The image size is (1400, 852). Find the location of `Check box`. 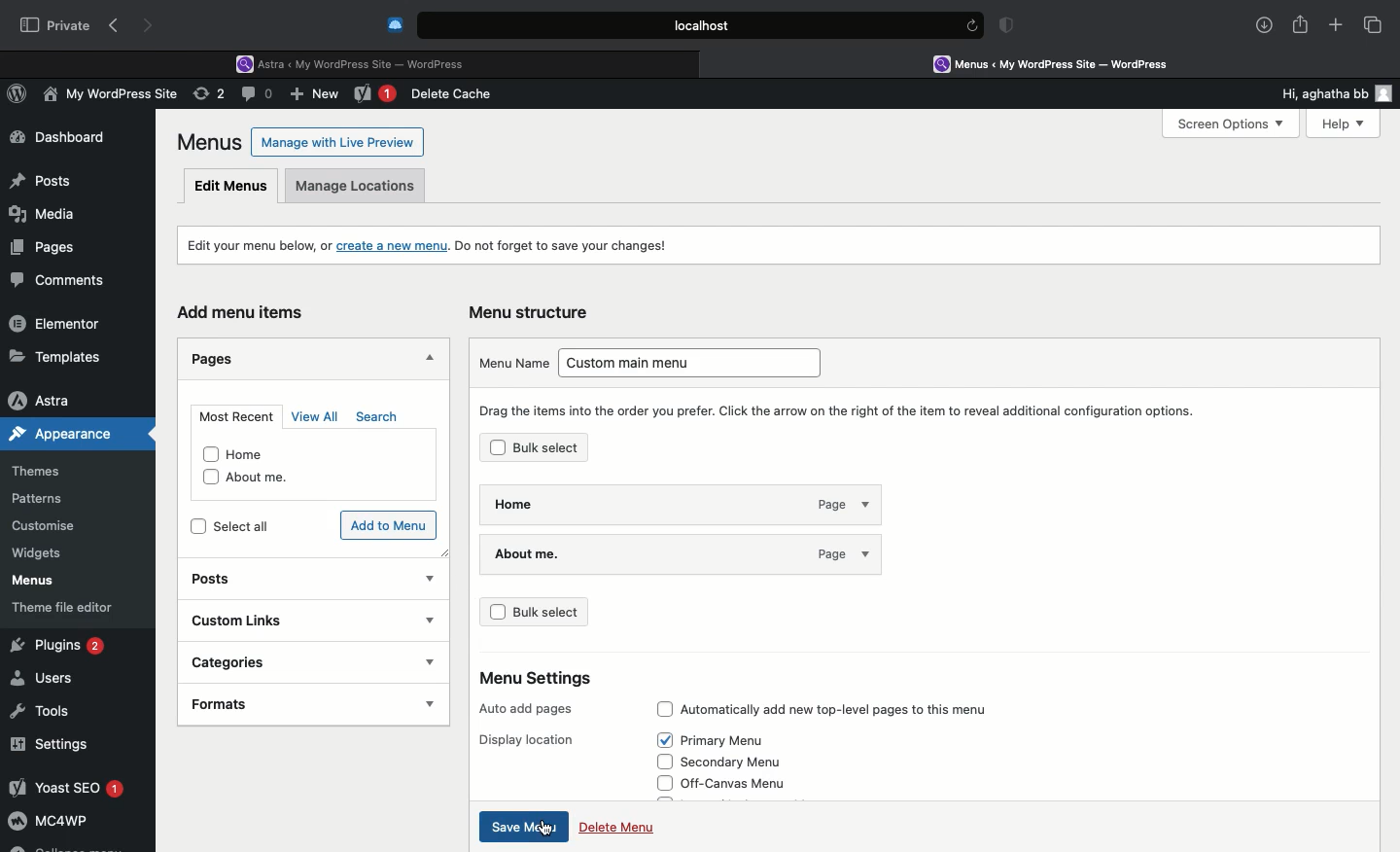

Check box is located at coordinates (664, 783).